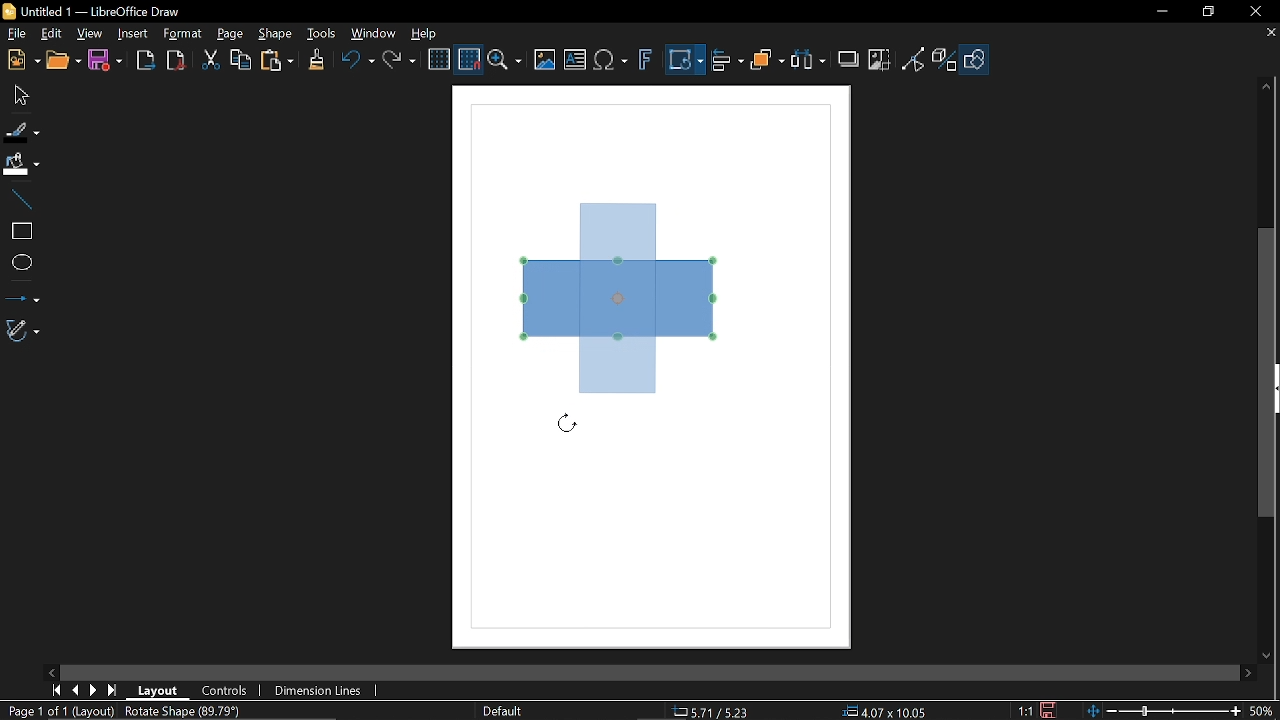 The image size is (1280, 720). Describe the element at coordinates (1267, 372) in the screenshot. I see `Vertical scrollbar` at that location.